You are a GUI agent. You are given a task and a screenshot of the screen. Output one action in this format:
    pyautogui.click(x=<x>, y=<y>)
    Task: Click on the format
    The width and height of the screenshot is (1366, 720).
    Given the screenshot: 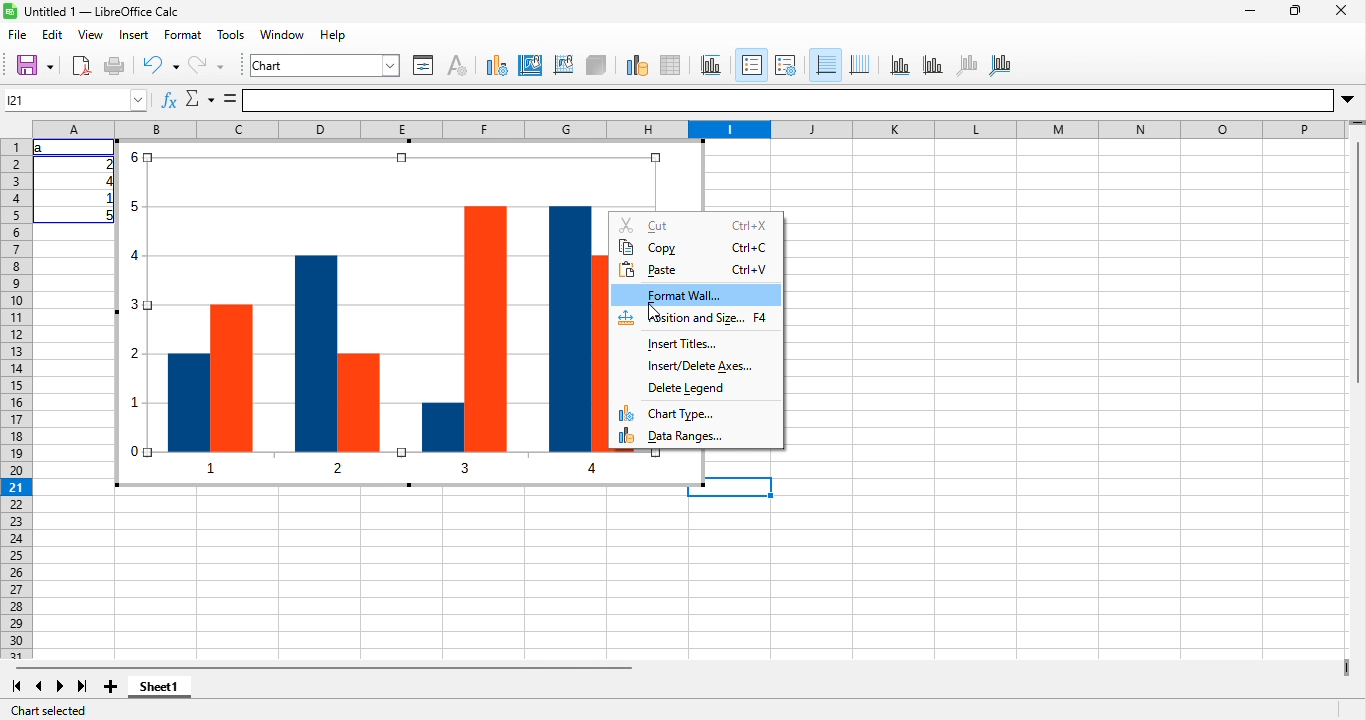 What is the action you would take?
    pyautogui.click(x=183, y=34)
    